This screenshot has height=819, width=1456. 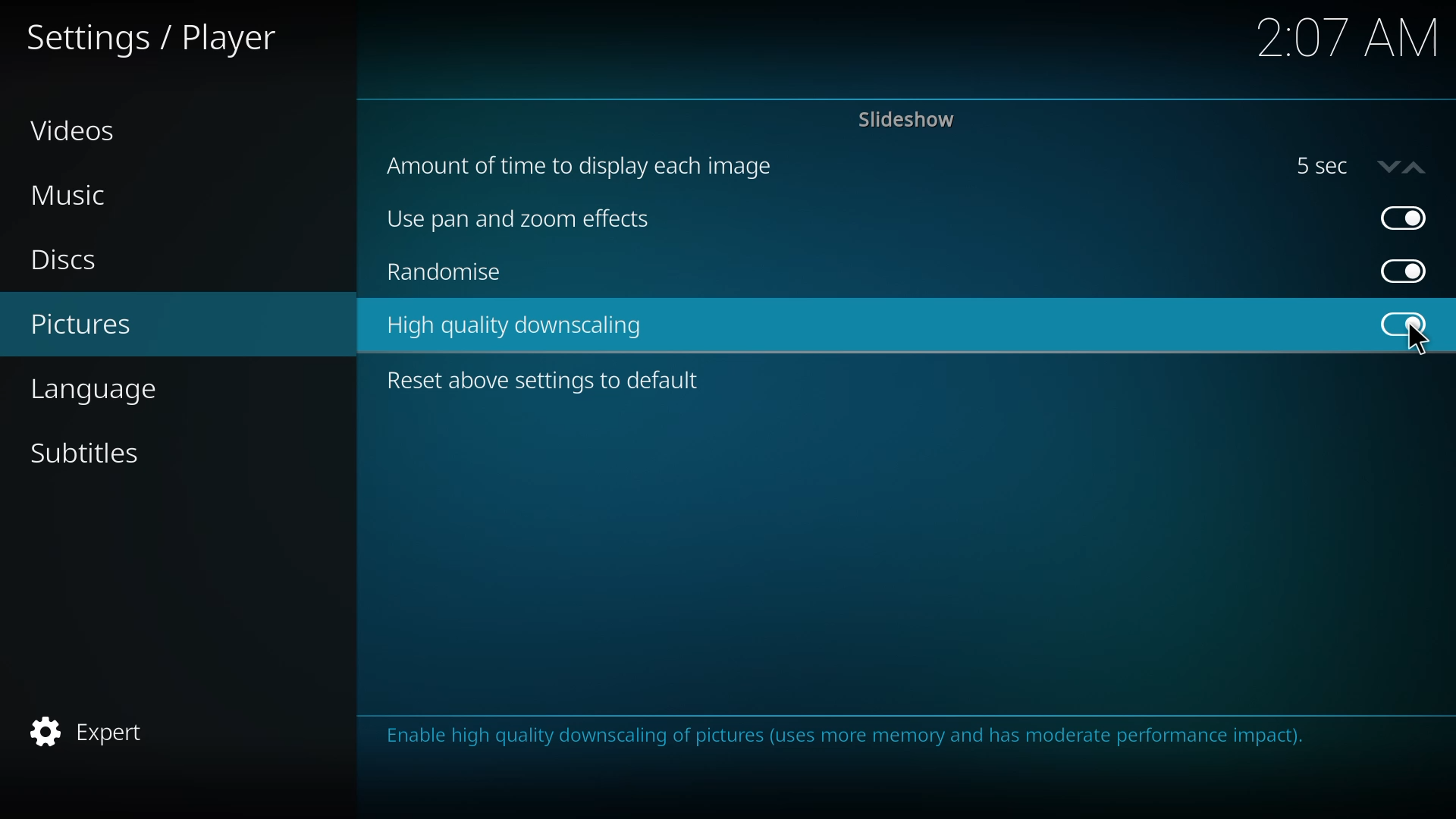 I want to click on videos, so click(x=76, y=130).